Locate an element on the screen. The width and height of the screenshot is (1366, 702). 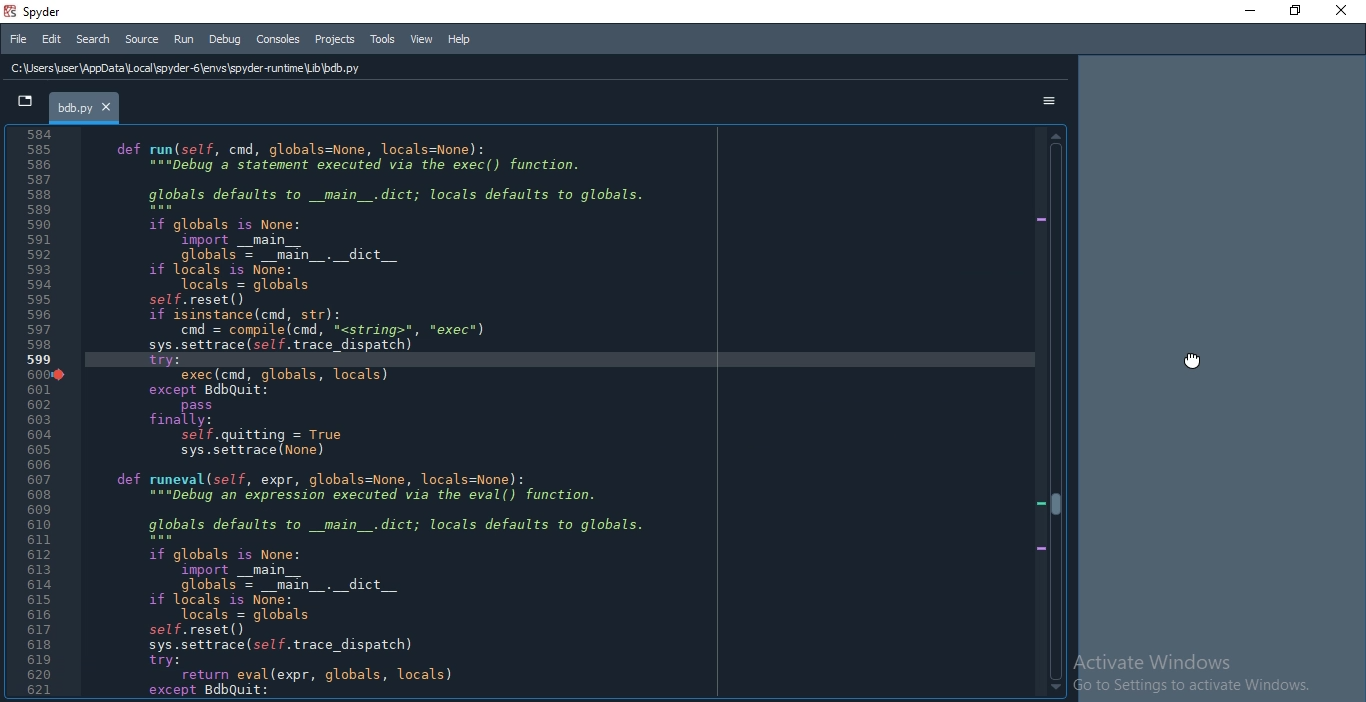
options is located at coordinates (1050, 102).